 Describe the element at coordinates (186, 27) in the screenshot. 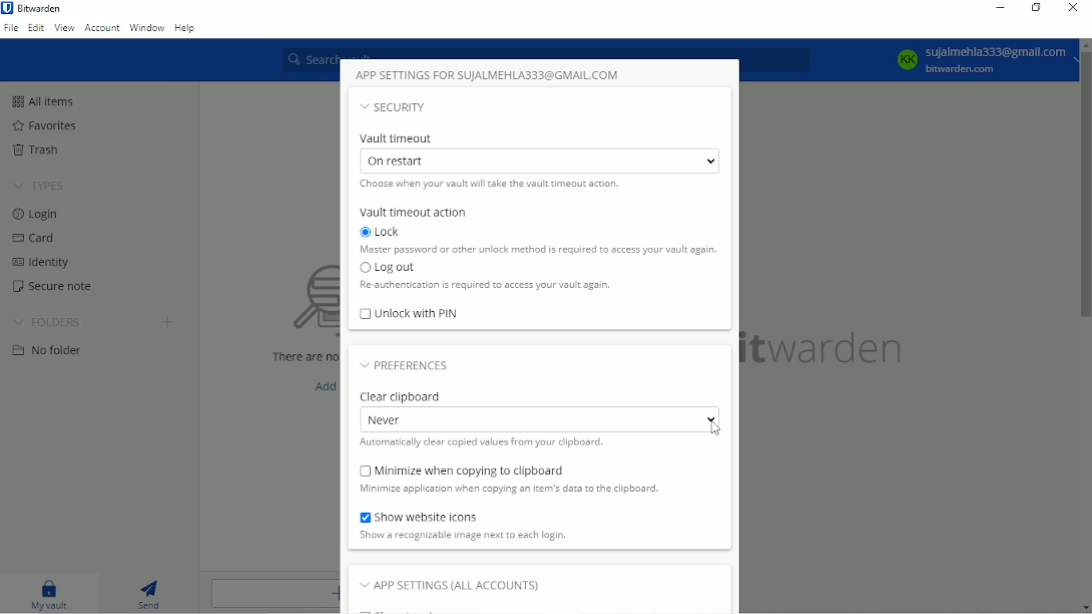

I see `Help` at that location.